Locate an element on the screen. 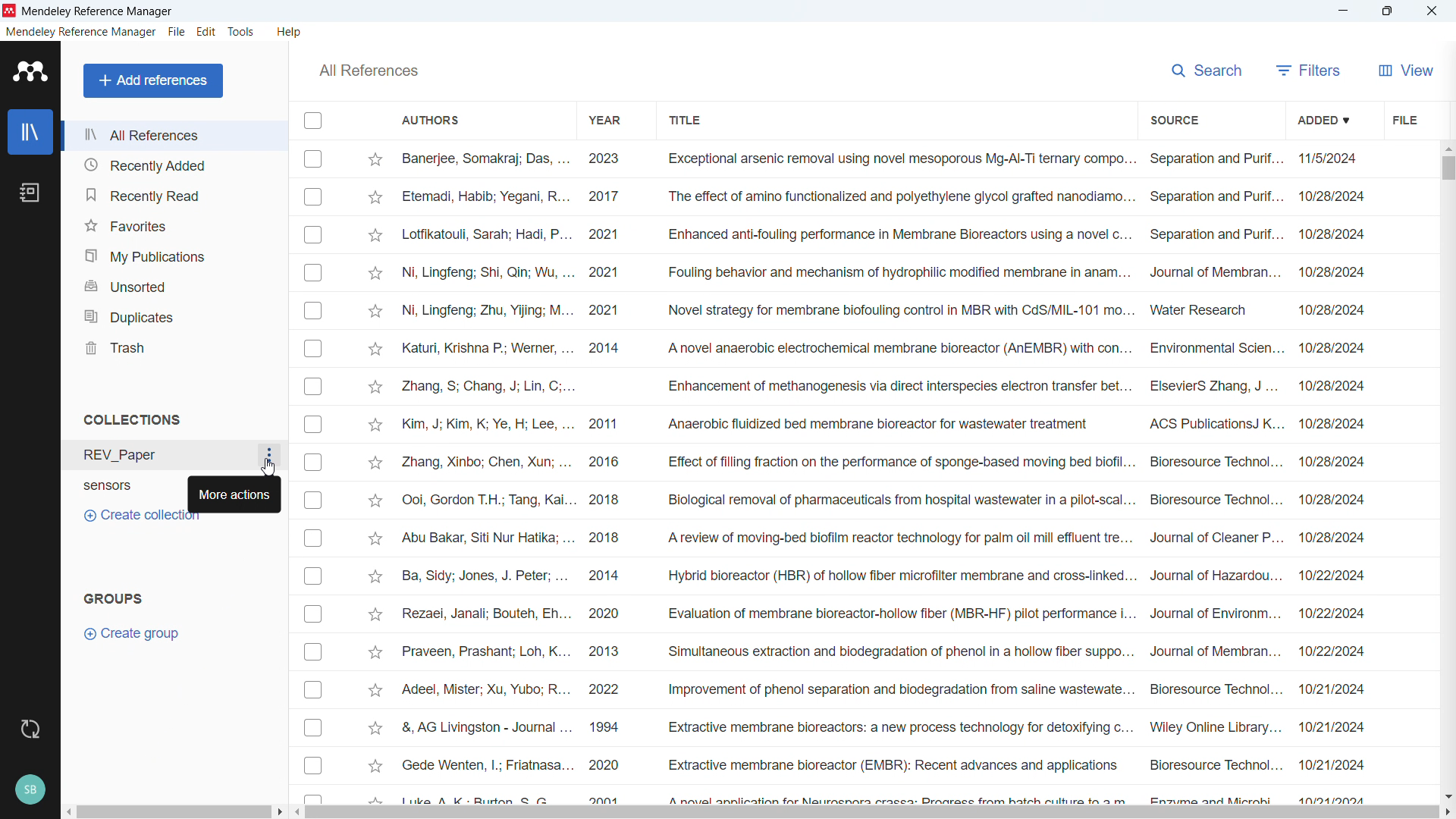  Praveen, Prashant; Loh, K... 2013 Simultaneous extraction and biodegradation of phenol in a hollow fiber suppo... Journal of Membran... 10/22/2024 is located at coordinates (883, 651).